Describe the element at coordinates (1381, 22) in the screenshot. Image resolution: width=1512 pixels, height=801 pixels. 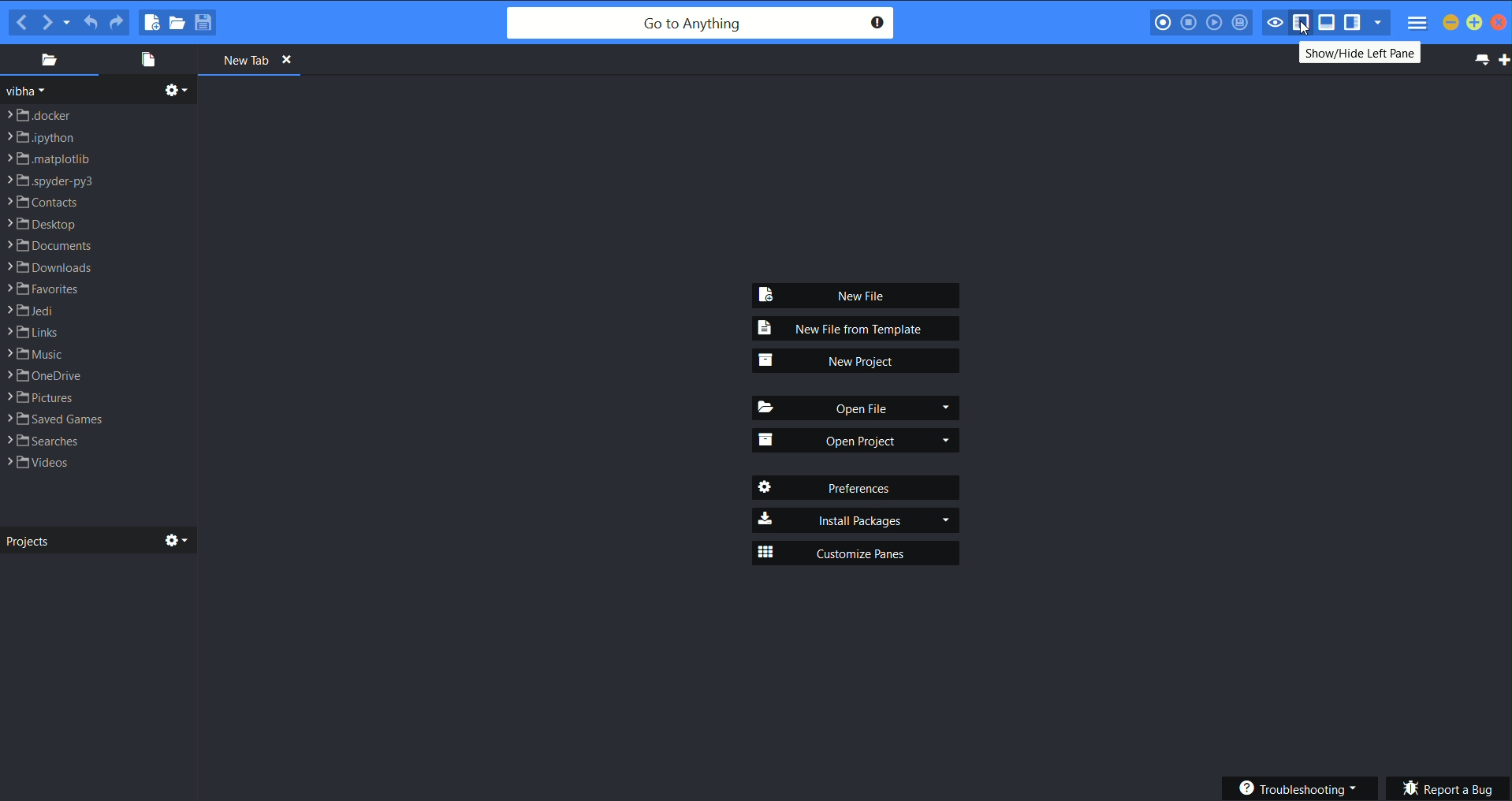
I see `show specific sidebar` at that location.